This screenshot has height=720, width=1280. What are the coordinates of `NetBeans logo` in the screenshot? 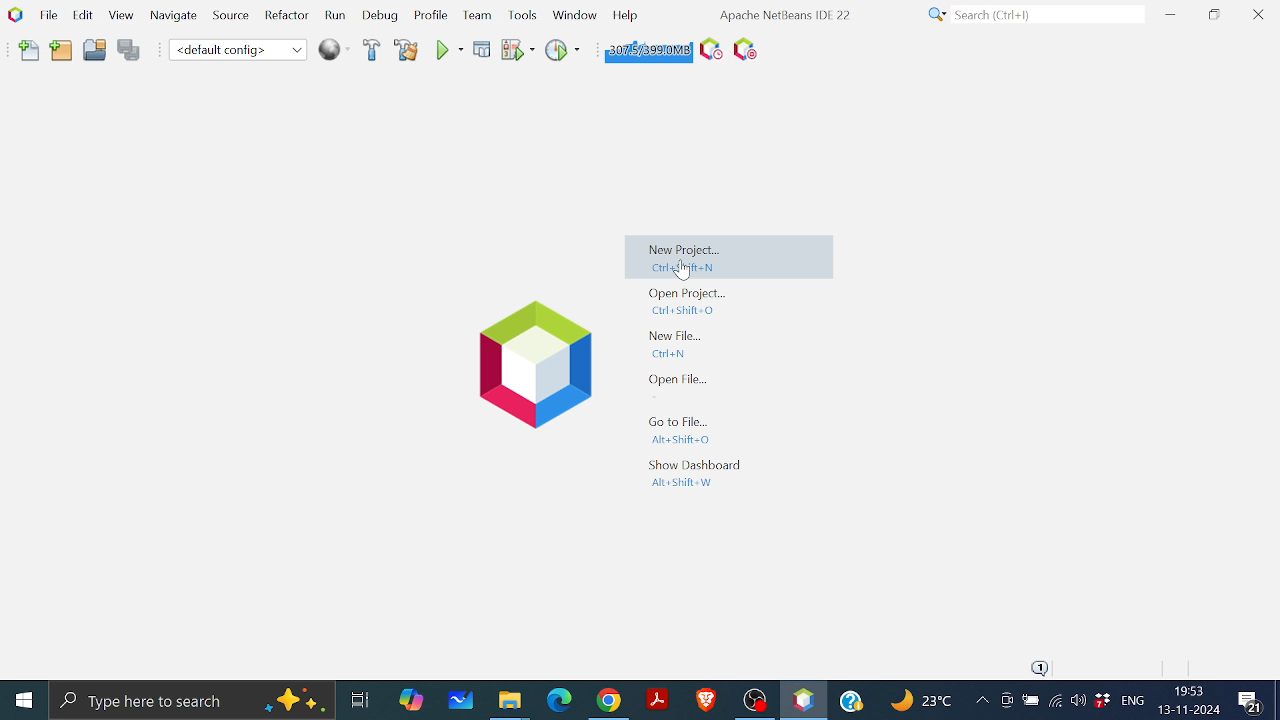 It's located at (14, 14).